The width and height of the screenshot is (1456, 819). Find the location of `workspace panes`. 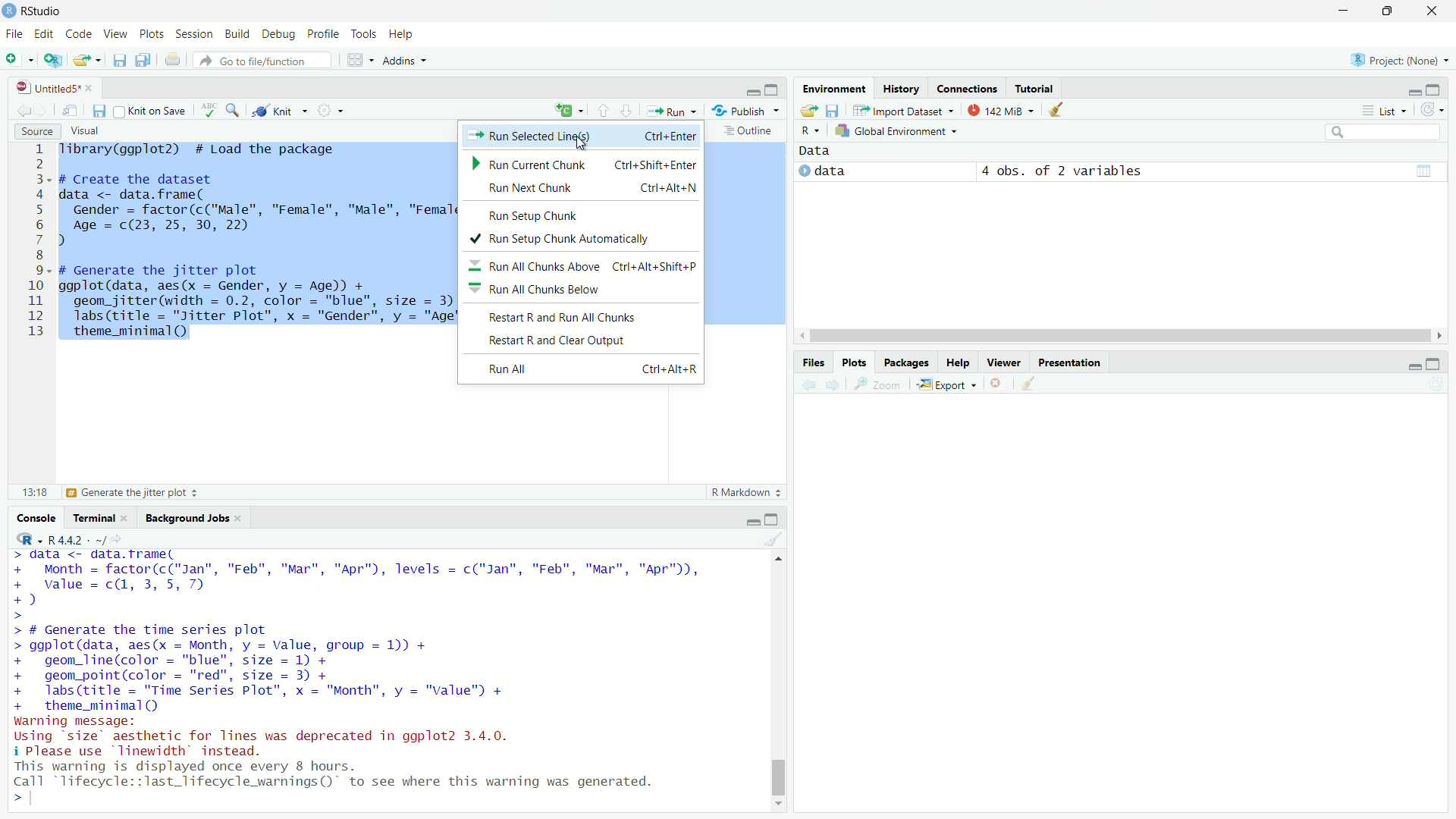

workspace panes is located at coordinates (359, 60).